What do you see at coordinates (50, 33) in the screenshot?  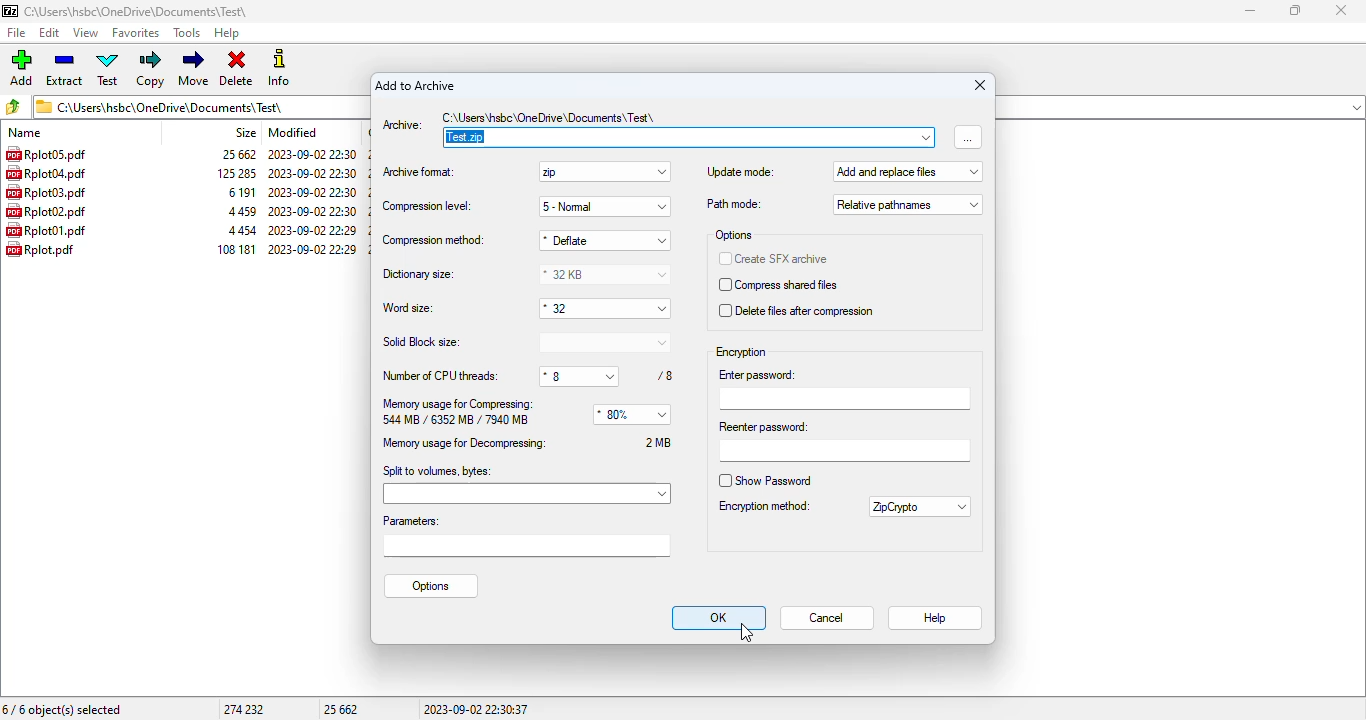 I see `edit` at bounding box center [50, 33].